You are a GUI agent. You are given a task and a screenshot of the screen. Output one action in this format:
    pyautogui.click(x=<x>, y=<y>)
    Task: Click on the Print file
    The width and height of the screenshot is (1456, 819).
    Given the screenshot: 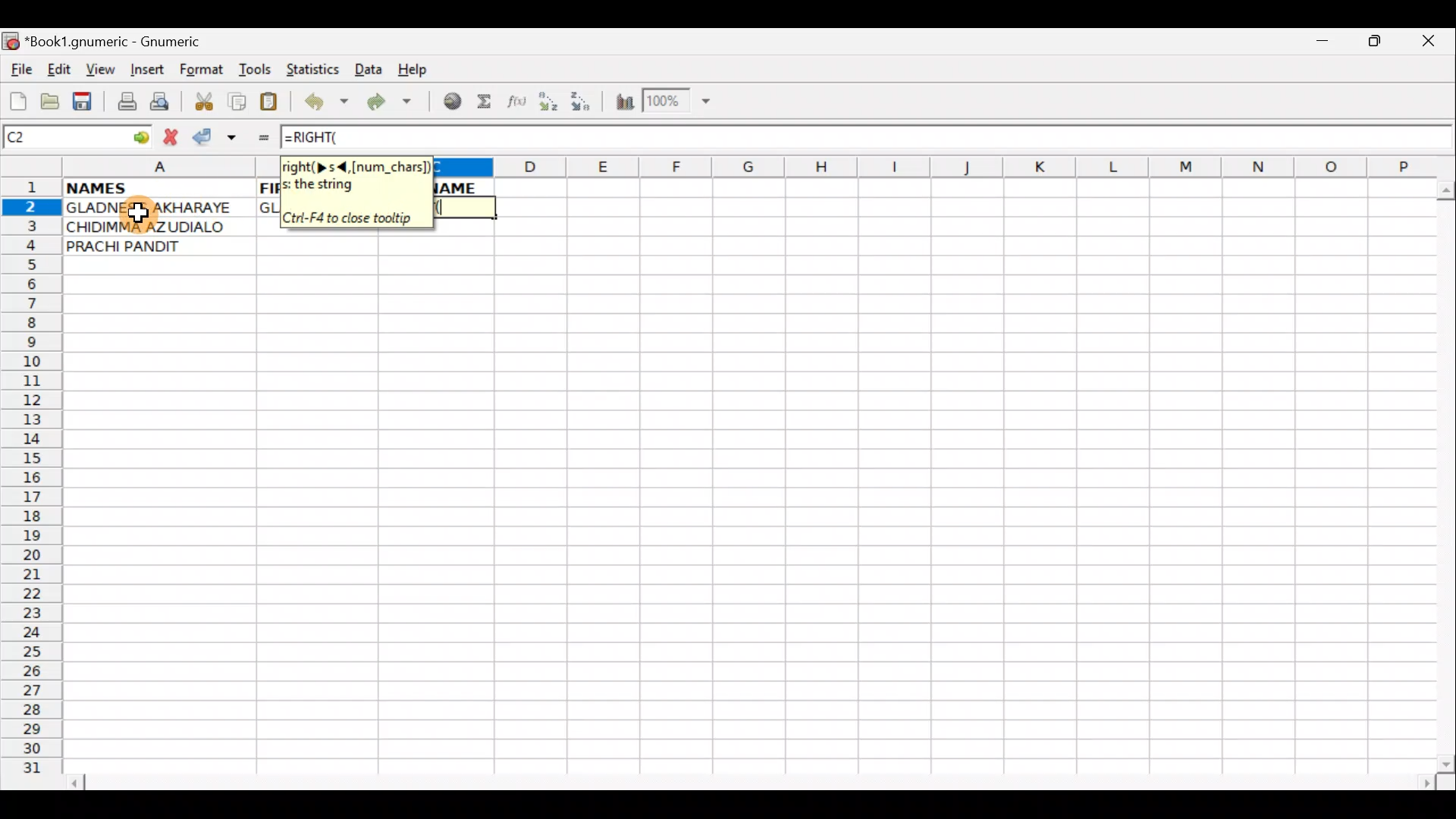 What is the action you would take?
    pyautogui.click(x=123, y=103)
    